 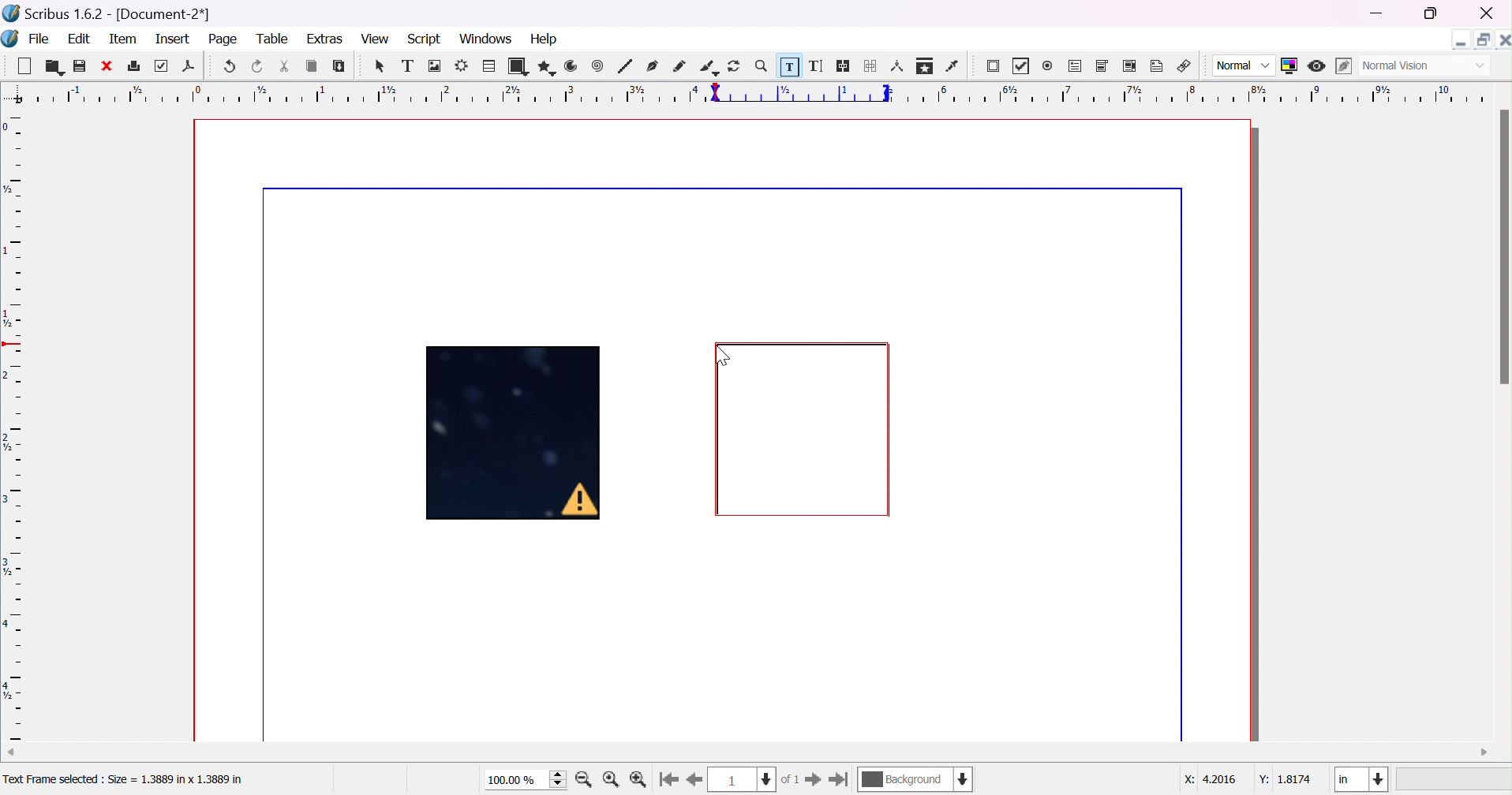 I want to click on PDF checkbox, so click(x=1025, y=66).